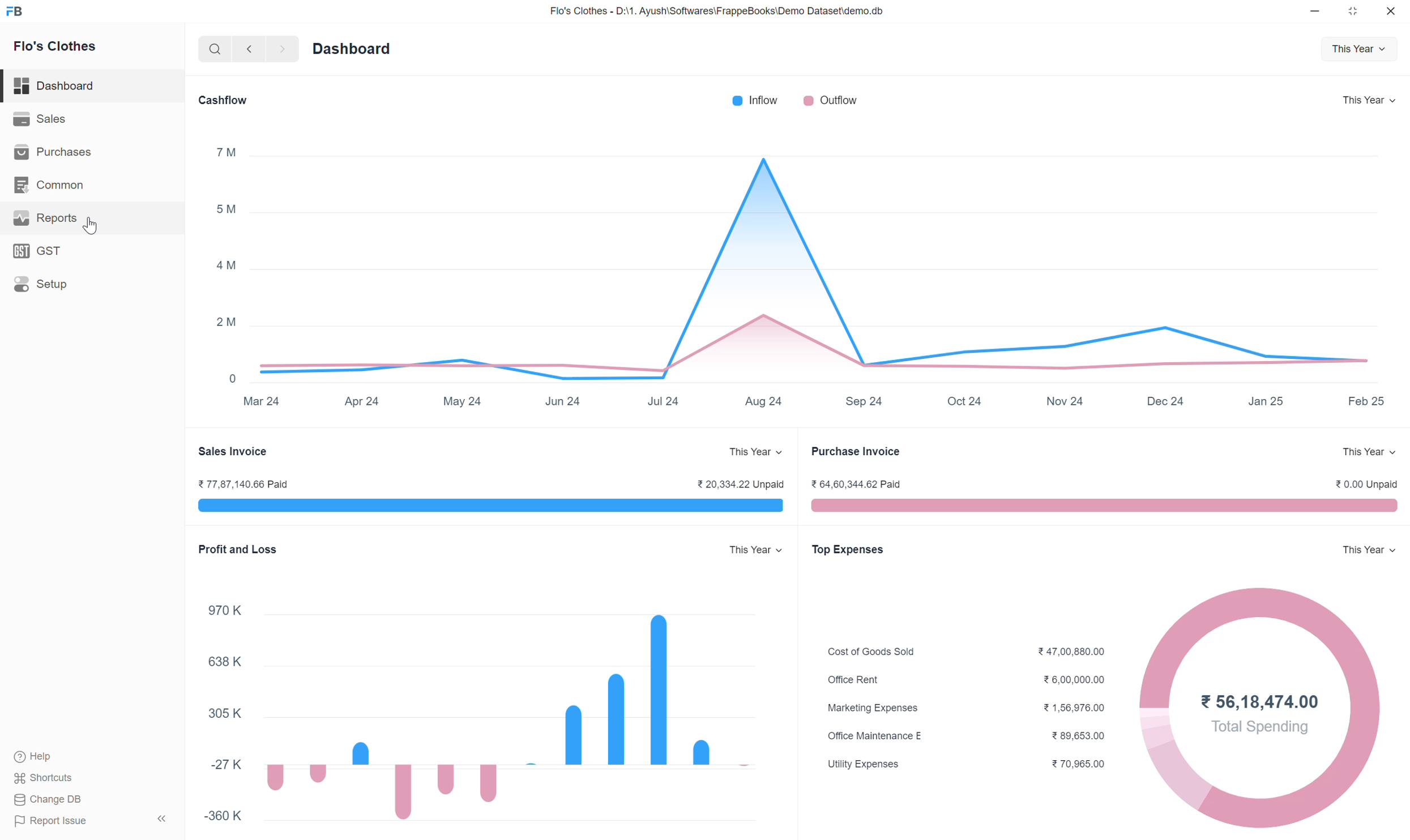 Image resolution: width=1410 pixels, height=840 pixels. Describe the element at coordinates (973, 764) in the screenshot. I see `Utility Expenses ¥70,965.00` at that location.